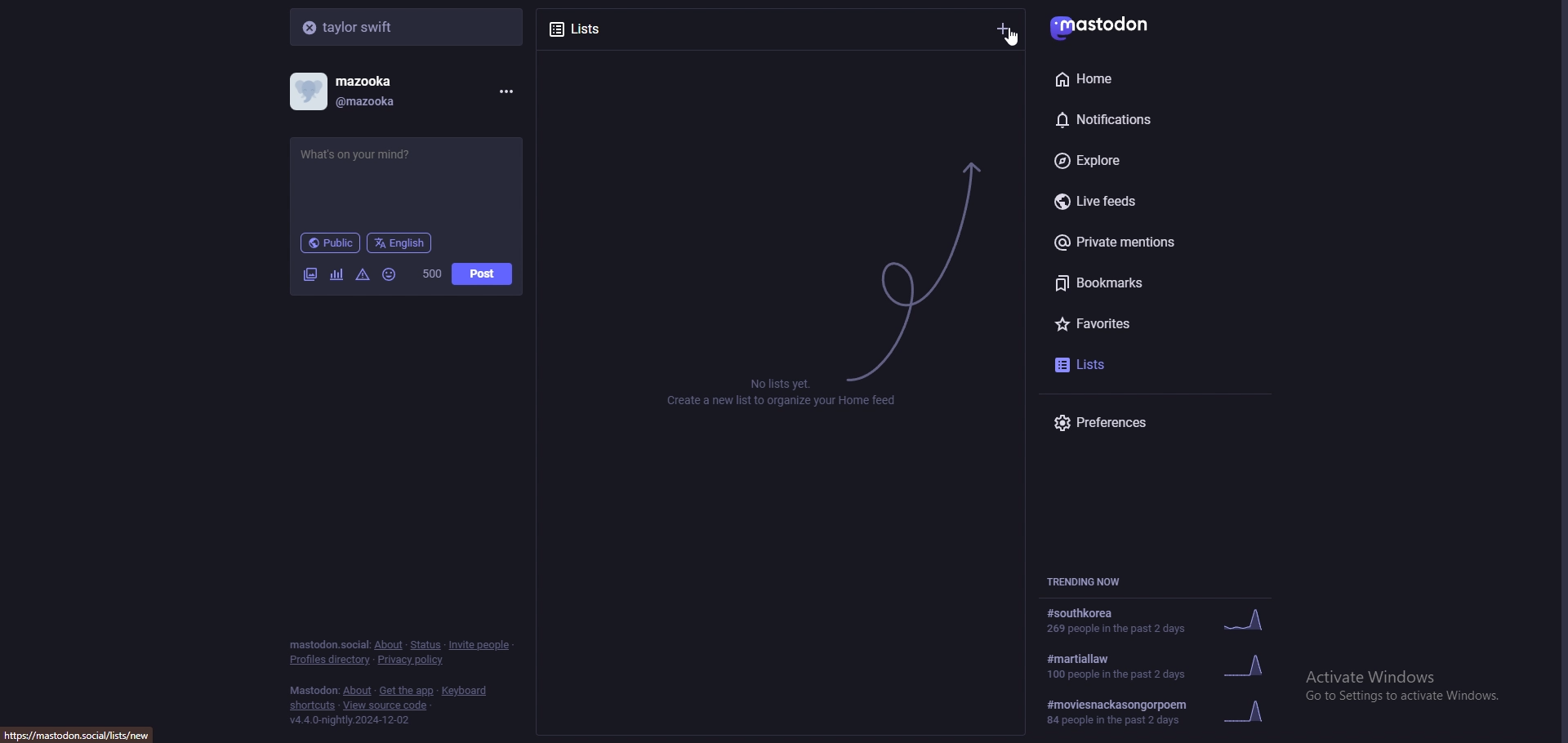 This screenshot has width=1568, height=743. I want to click on cursor, so click(1014, 35).